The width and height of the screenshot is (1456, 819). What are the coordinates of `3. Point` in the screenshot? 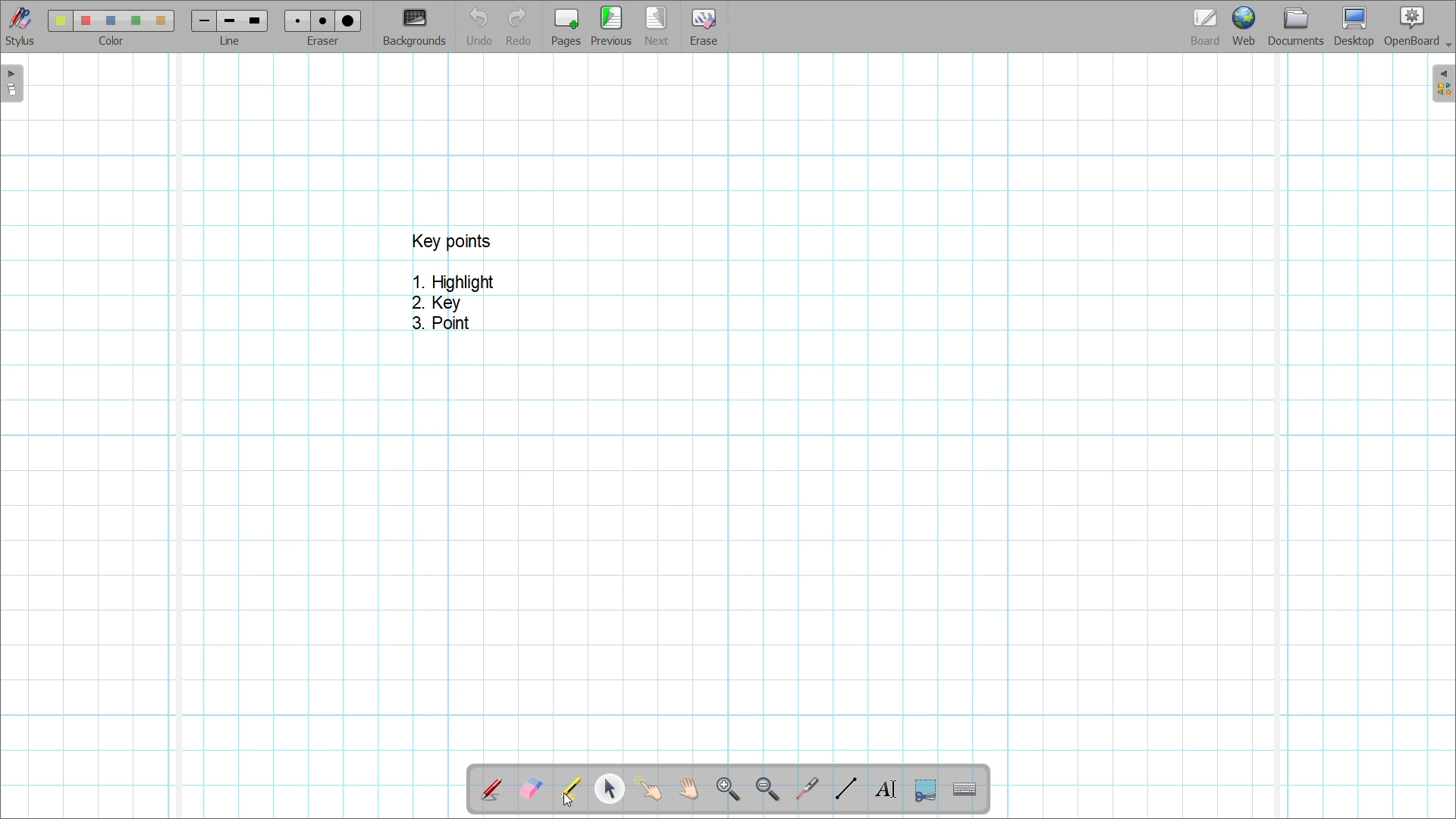 It's located at (439, 323).